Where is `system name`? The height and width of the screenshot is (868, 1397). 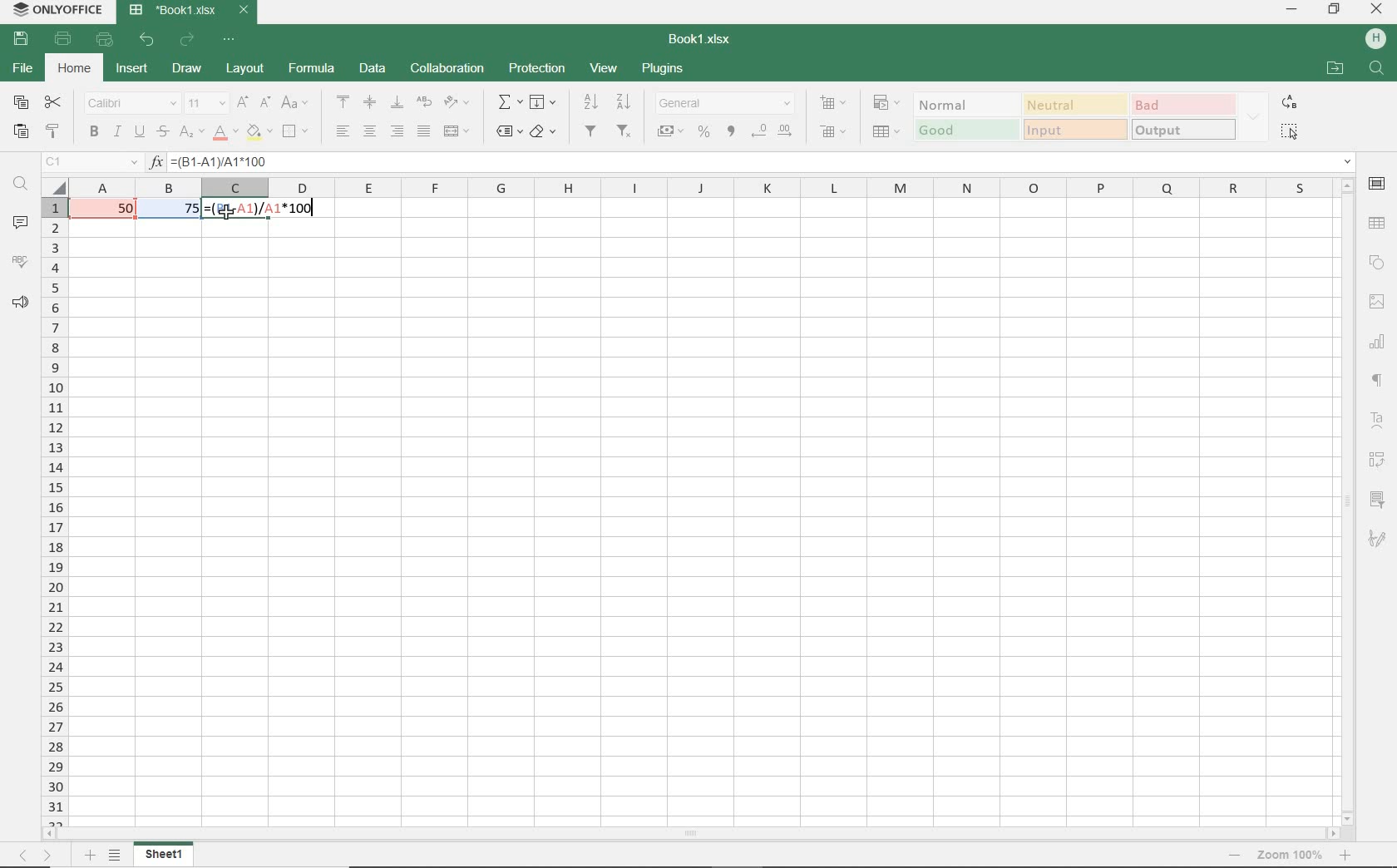
system name is located at coordinates (55, 11).